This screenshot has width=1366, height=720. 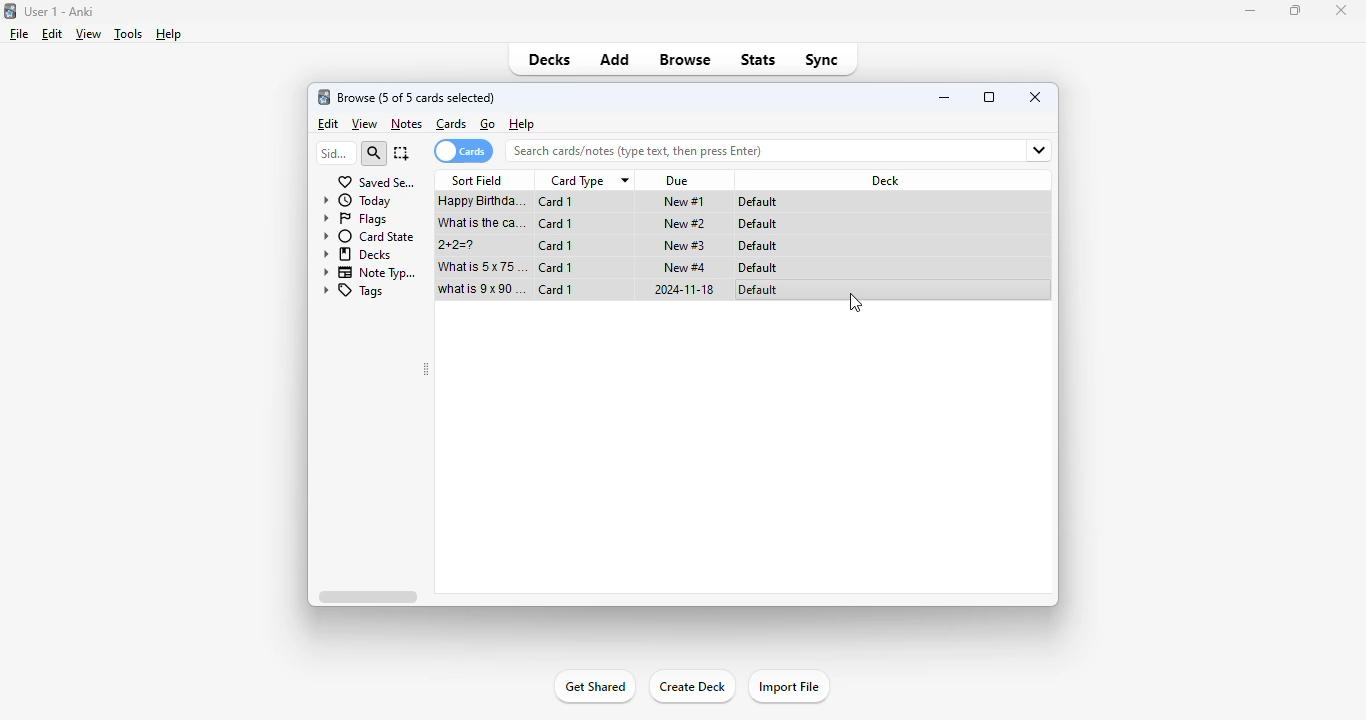 I want to click on edit, so click(x=53, y=34).